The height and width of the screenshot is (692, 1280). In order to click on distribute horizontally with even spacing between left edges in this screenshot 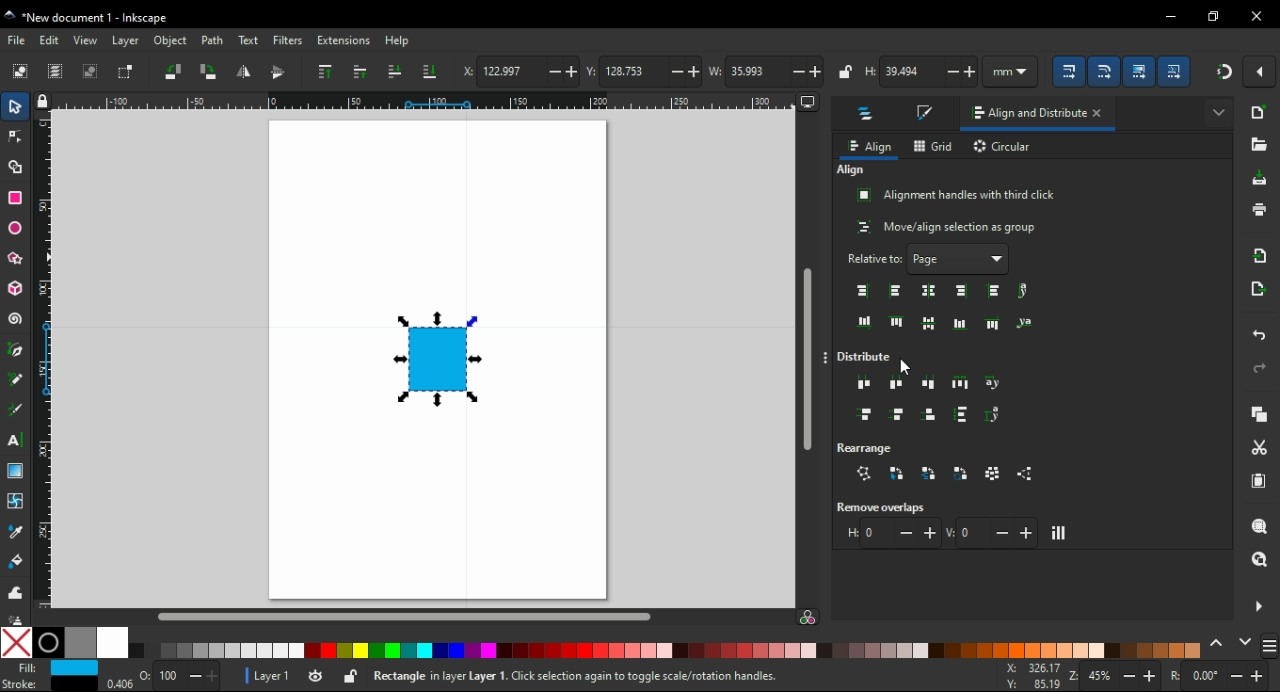, I will do `click(865, 385)`.